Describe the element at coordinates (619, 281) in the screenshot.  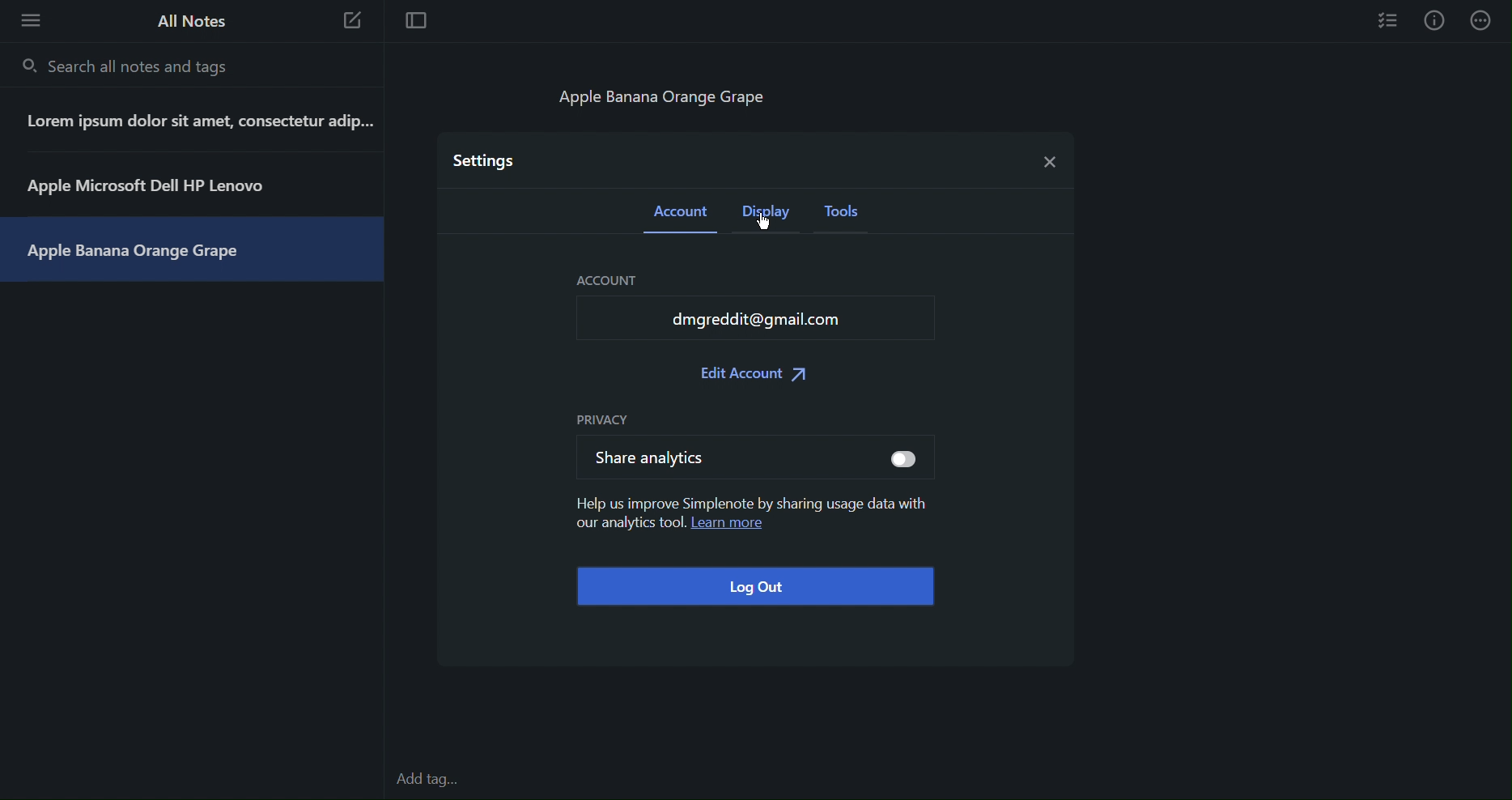
I see `ACCOUNT` at that location.